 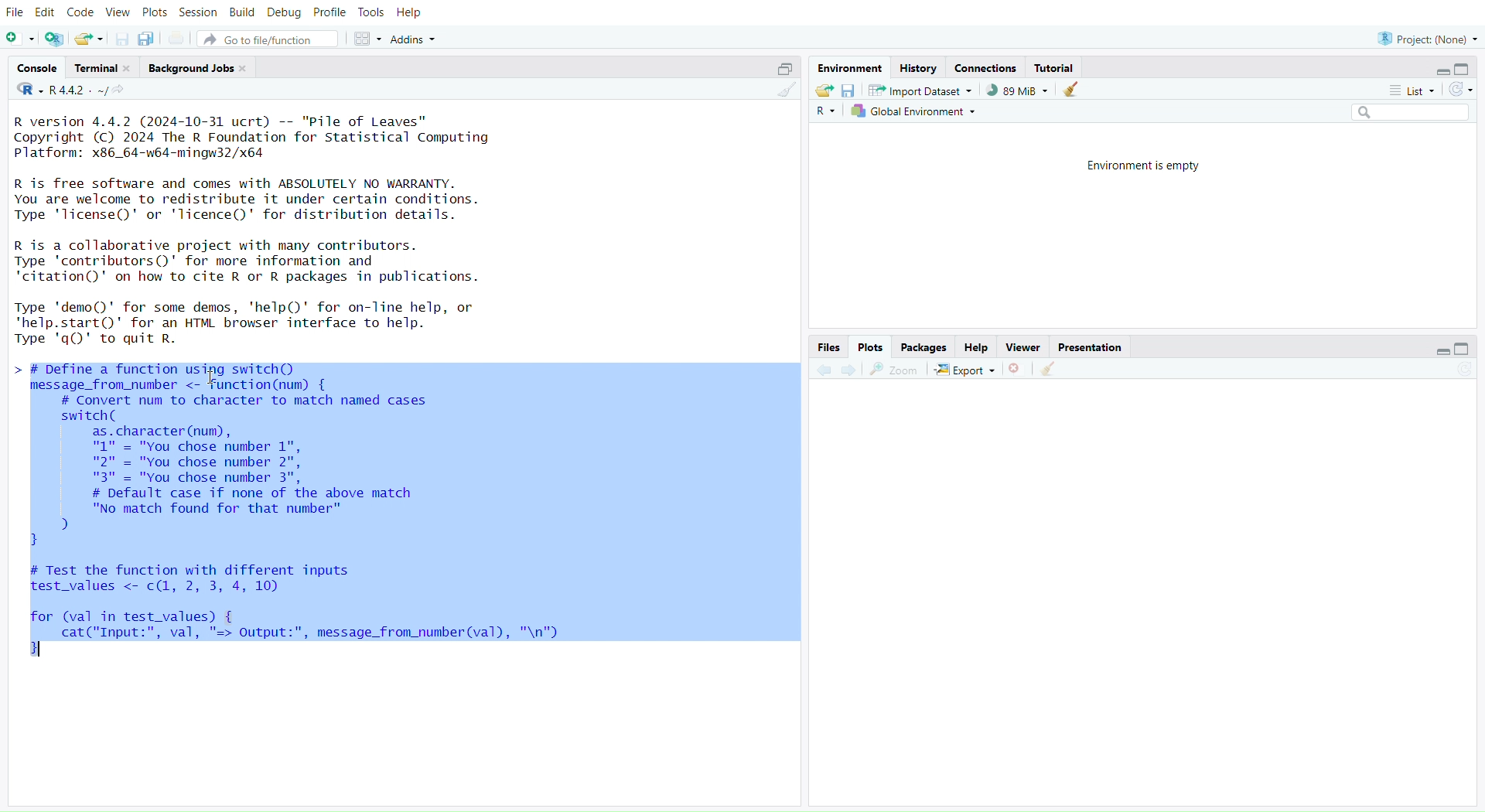 I want to click on Print the current file, so click(x=178, y=37).